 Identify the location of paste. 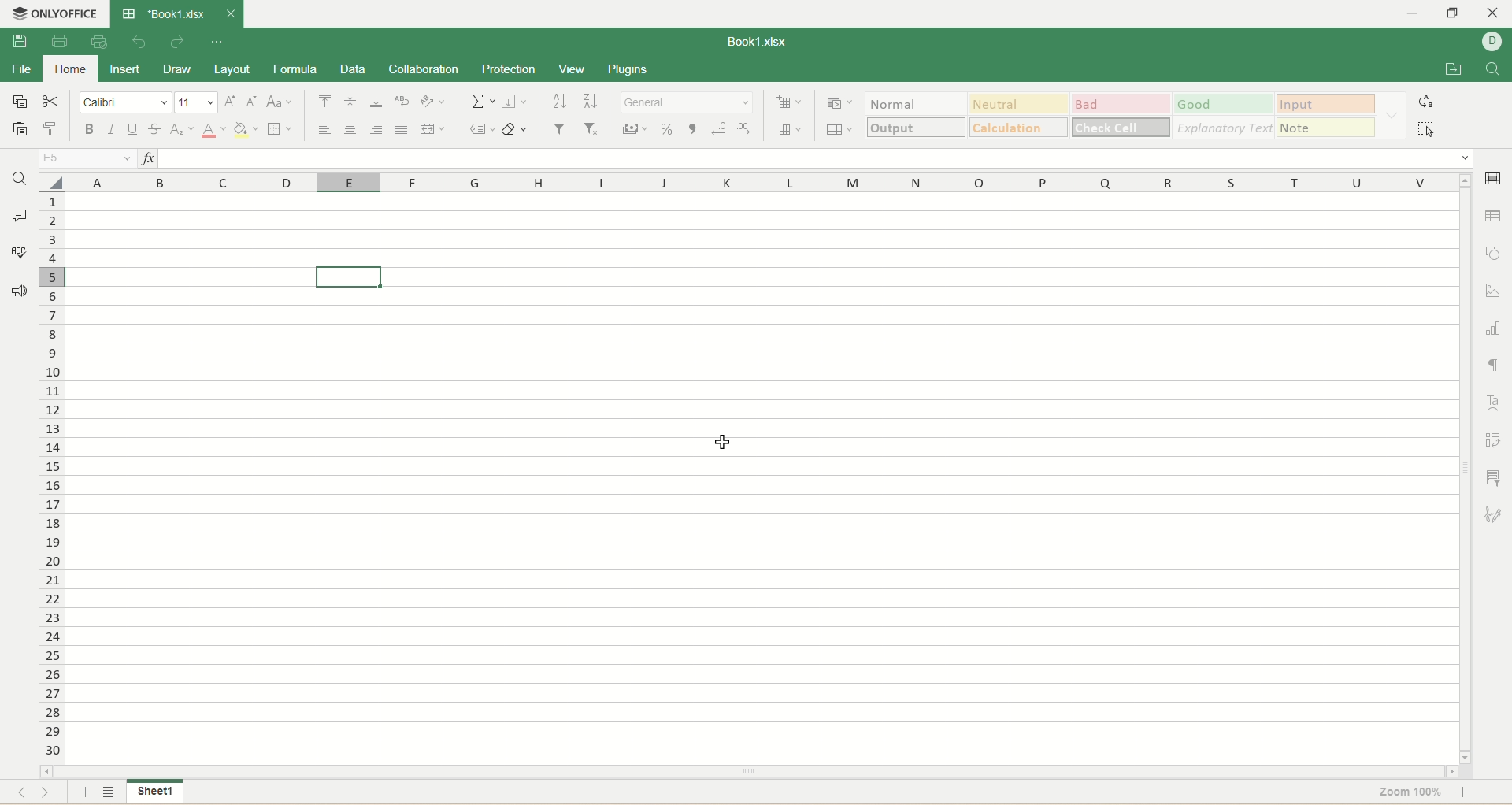
(20, 131).